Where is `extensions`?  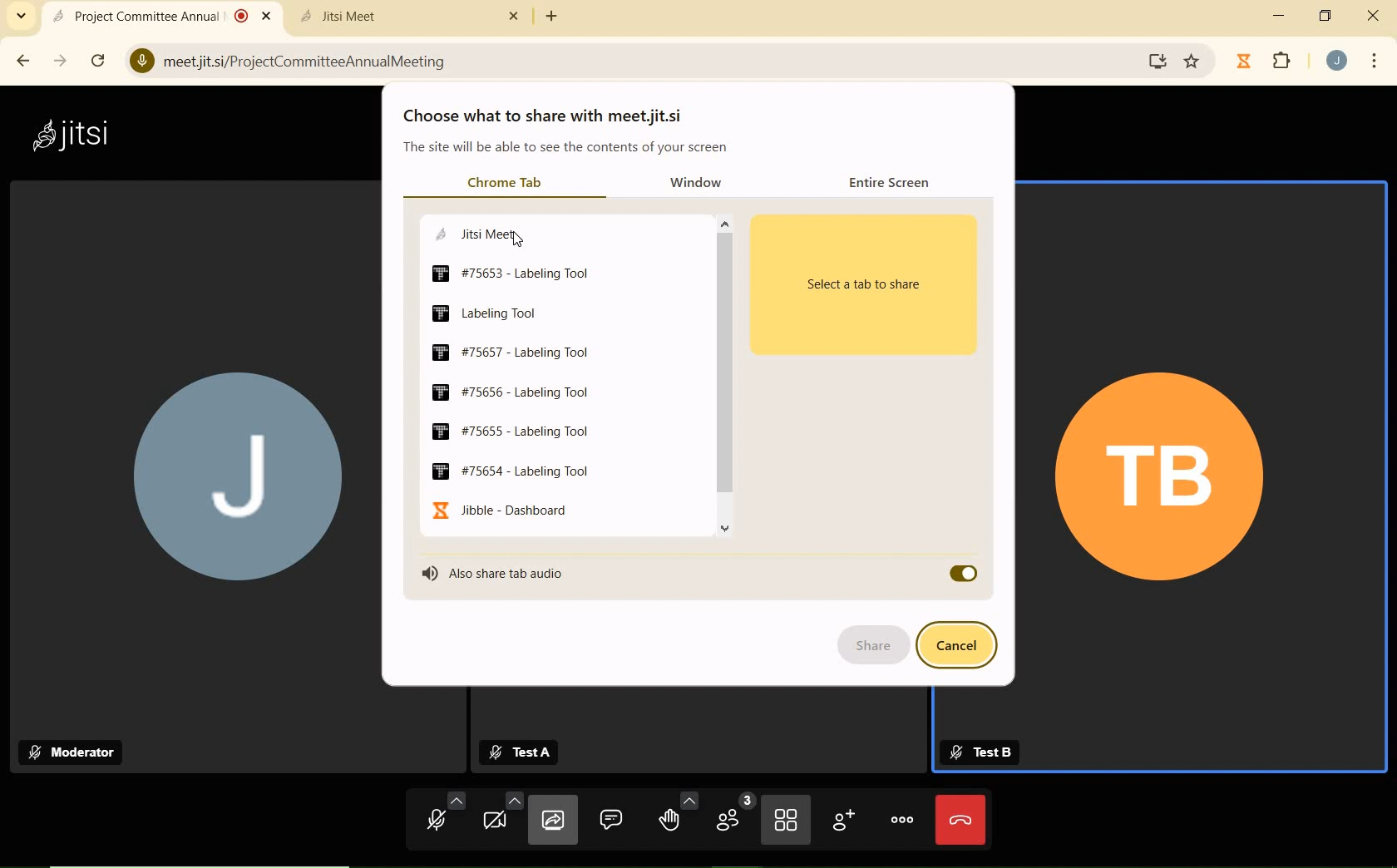 extensions is located at coordinates (1283, 62).